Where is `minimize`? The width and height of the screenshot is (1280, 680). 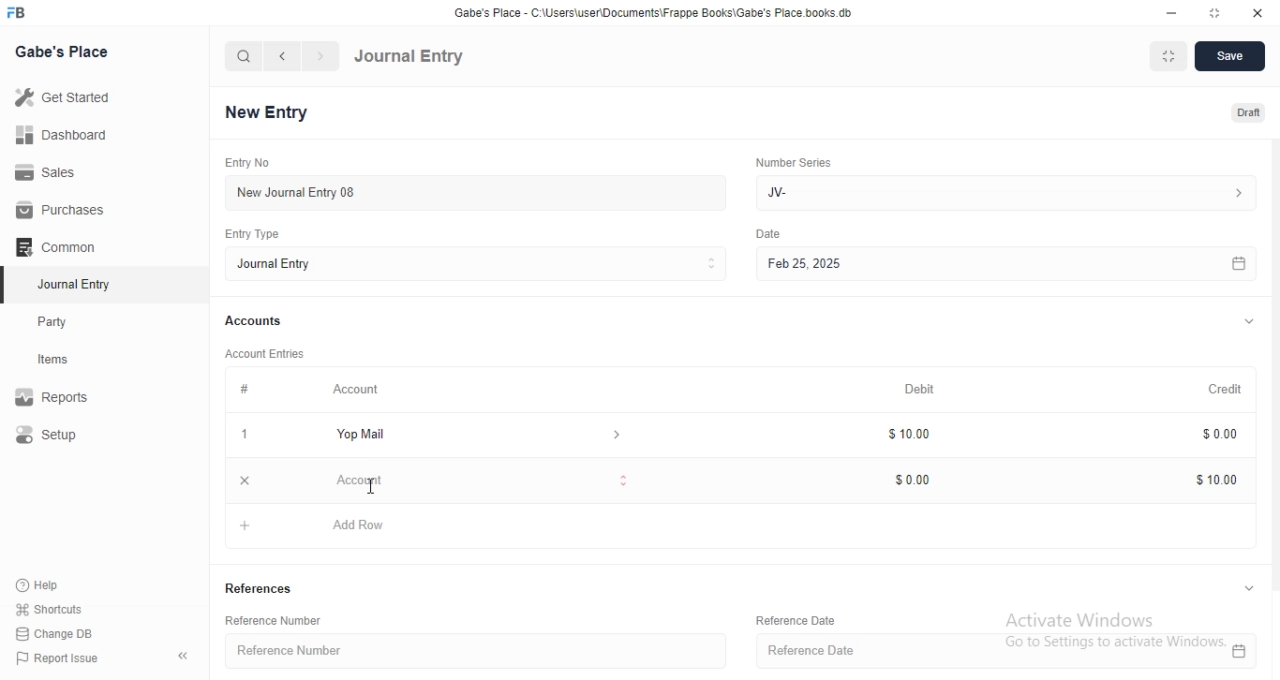
minimize is located at coordinates (1174, 11).